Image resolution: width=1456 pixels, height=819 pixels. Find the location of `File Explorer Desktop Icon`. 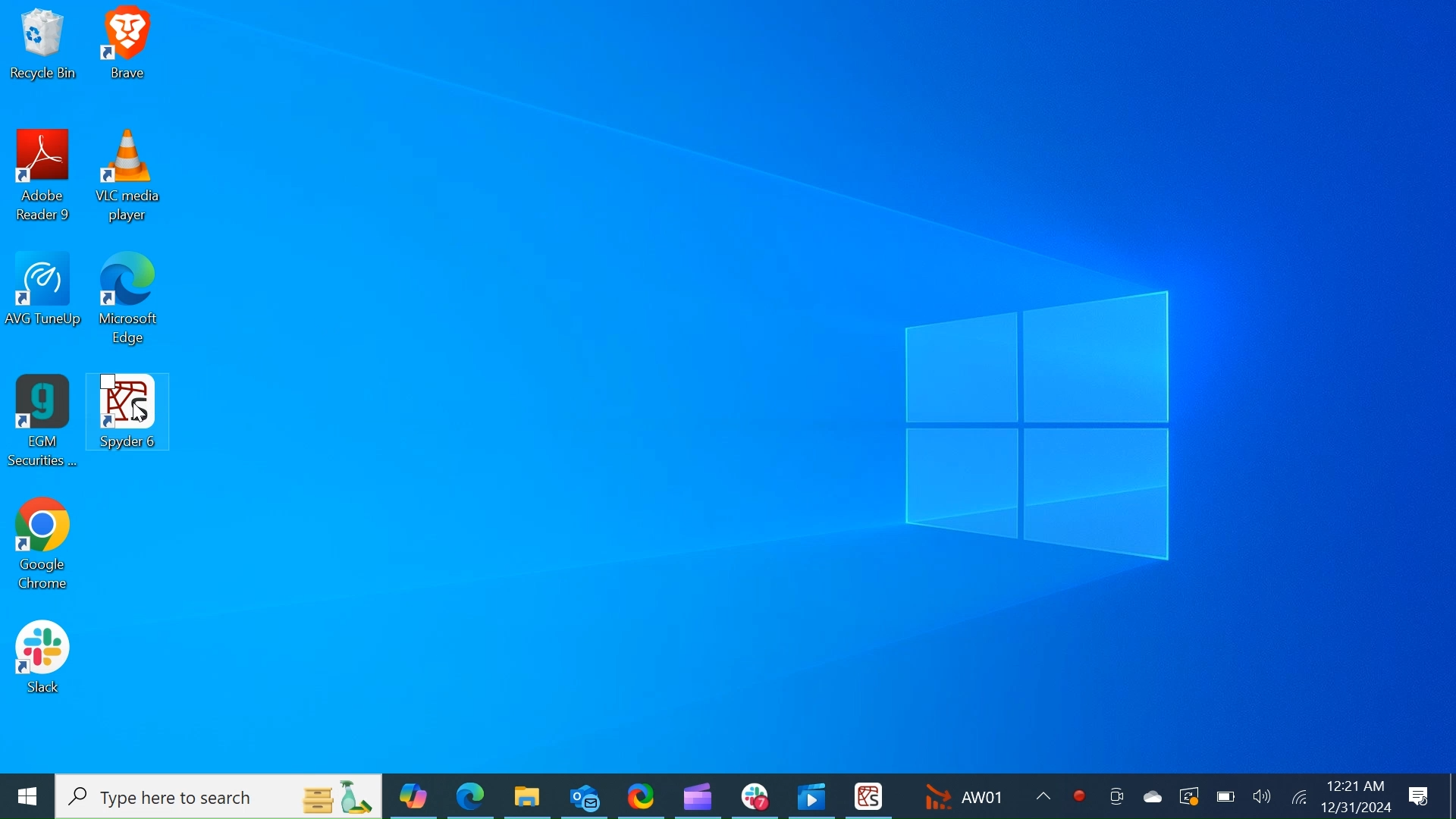

File Explorer Desktop Icon is located at coordinates (527, 795).